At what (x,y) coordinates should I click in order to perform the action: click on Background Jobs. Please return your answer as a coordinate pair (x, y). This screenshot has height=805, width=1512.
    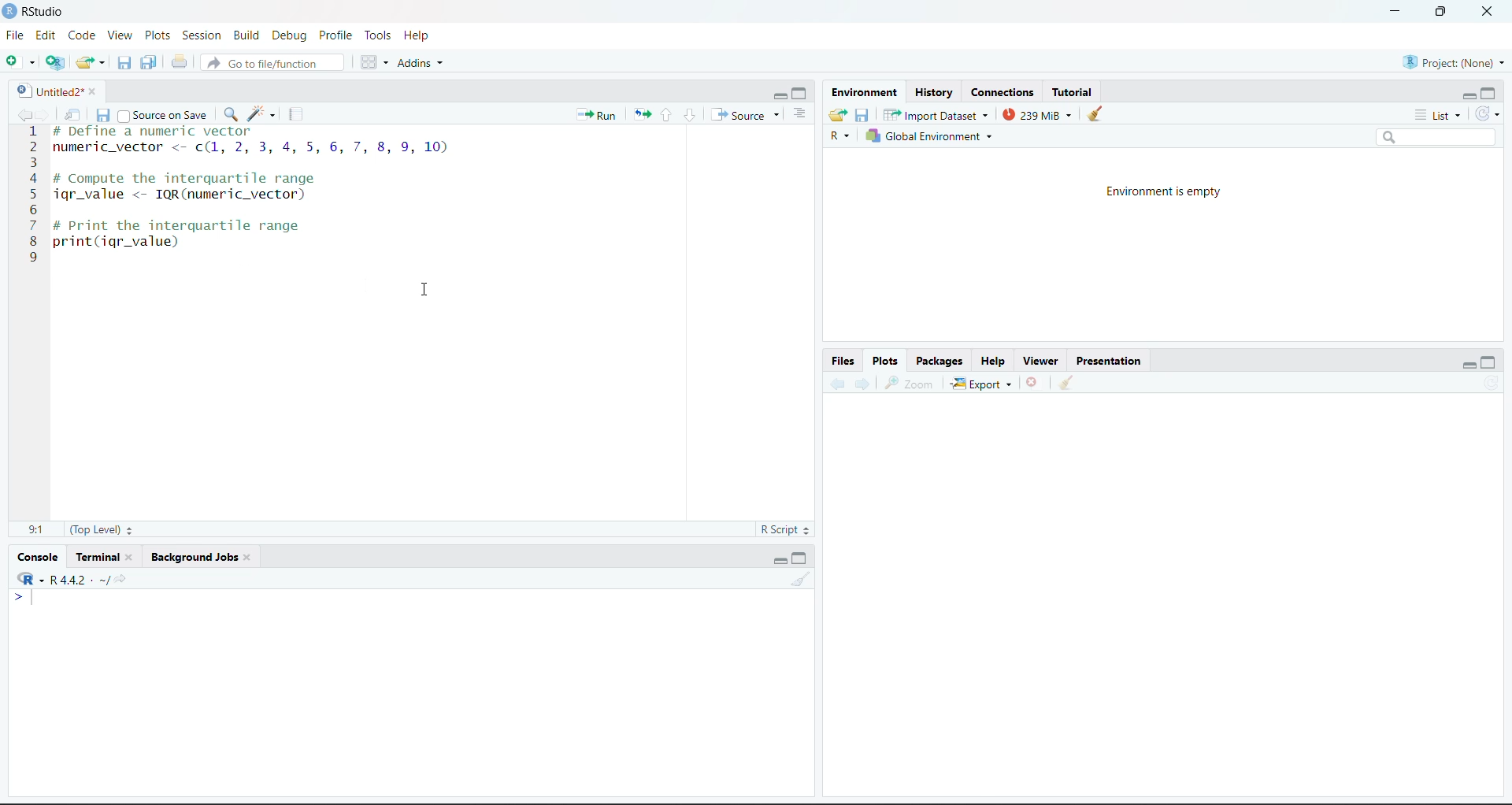
    Looking at the image, I should click on (195, 556).